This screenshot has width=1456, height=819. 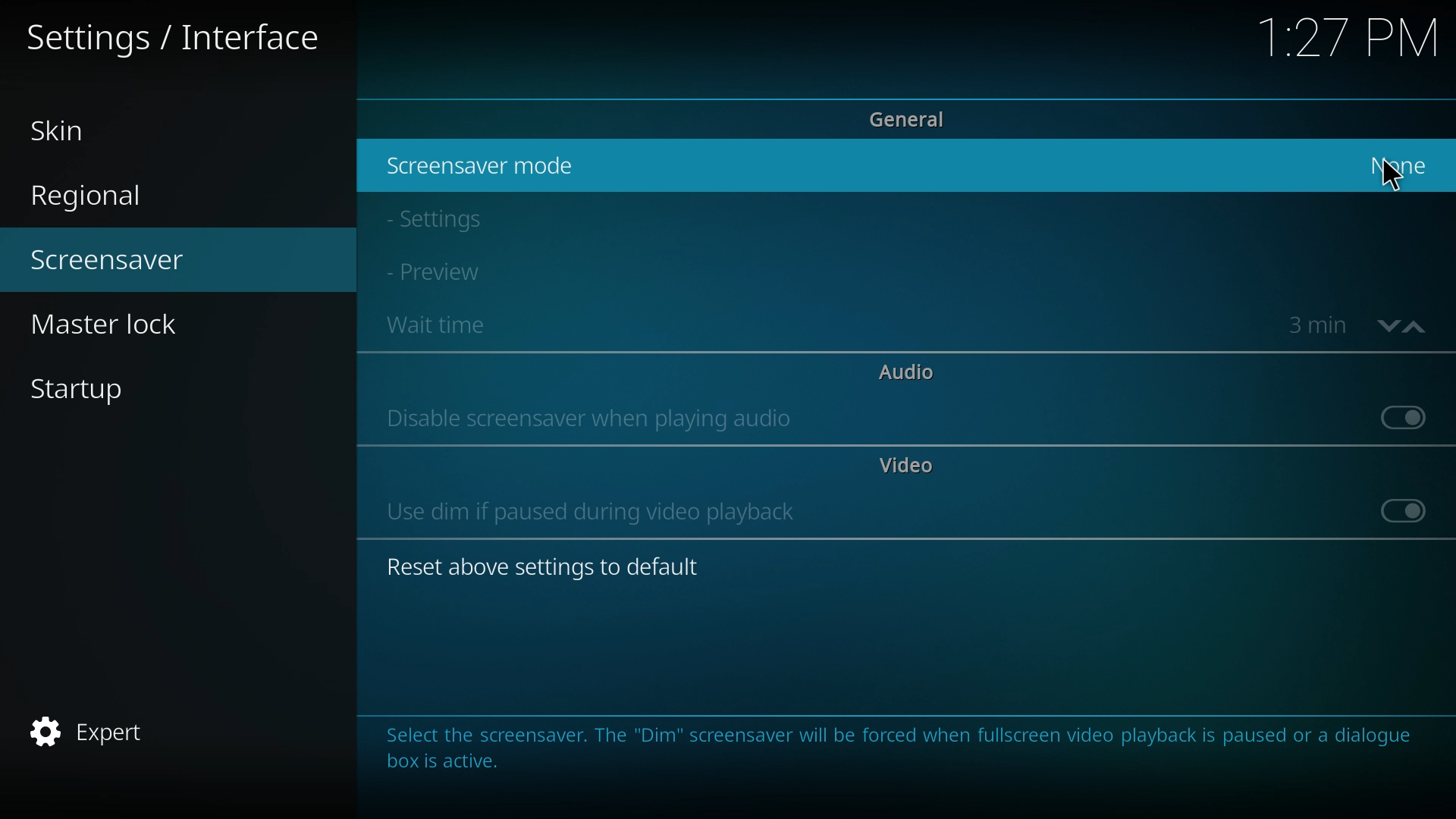 I want to click on settings, so click(x=457, y=219).